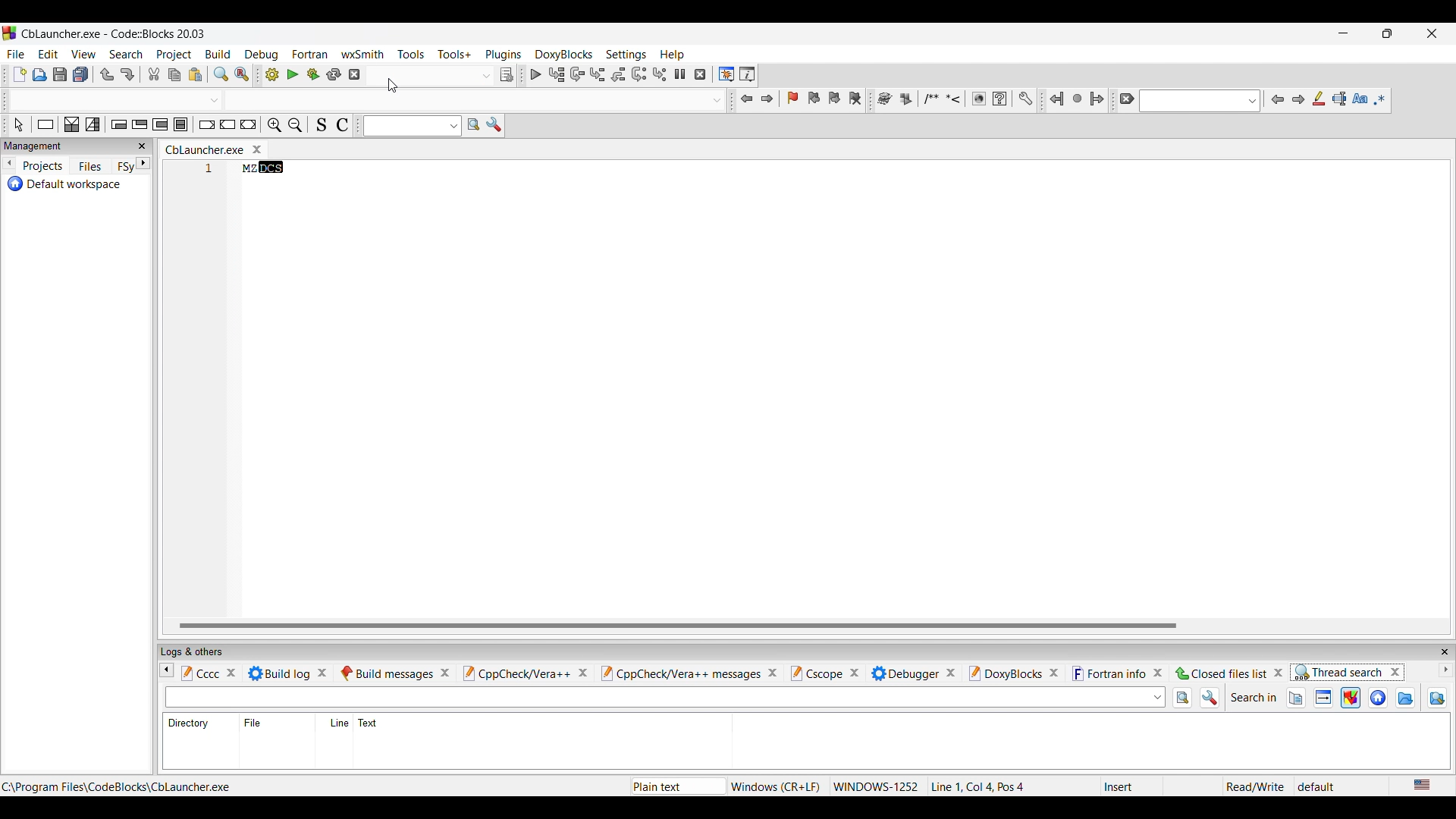  I want to click on New file, so click(20, 74).